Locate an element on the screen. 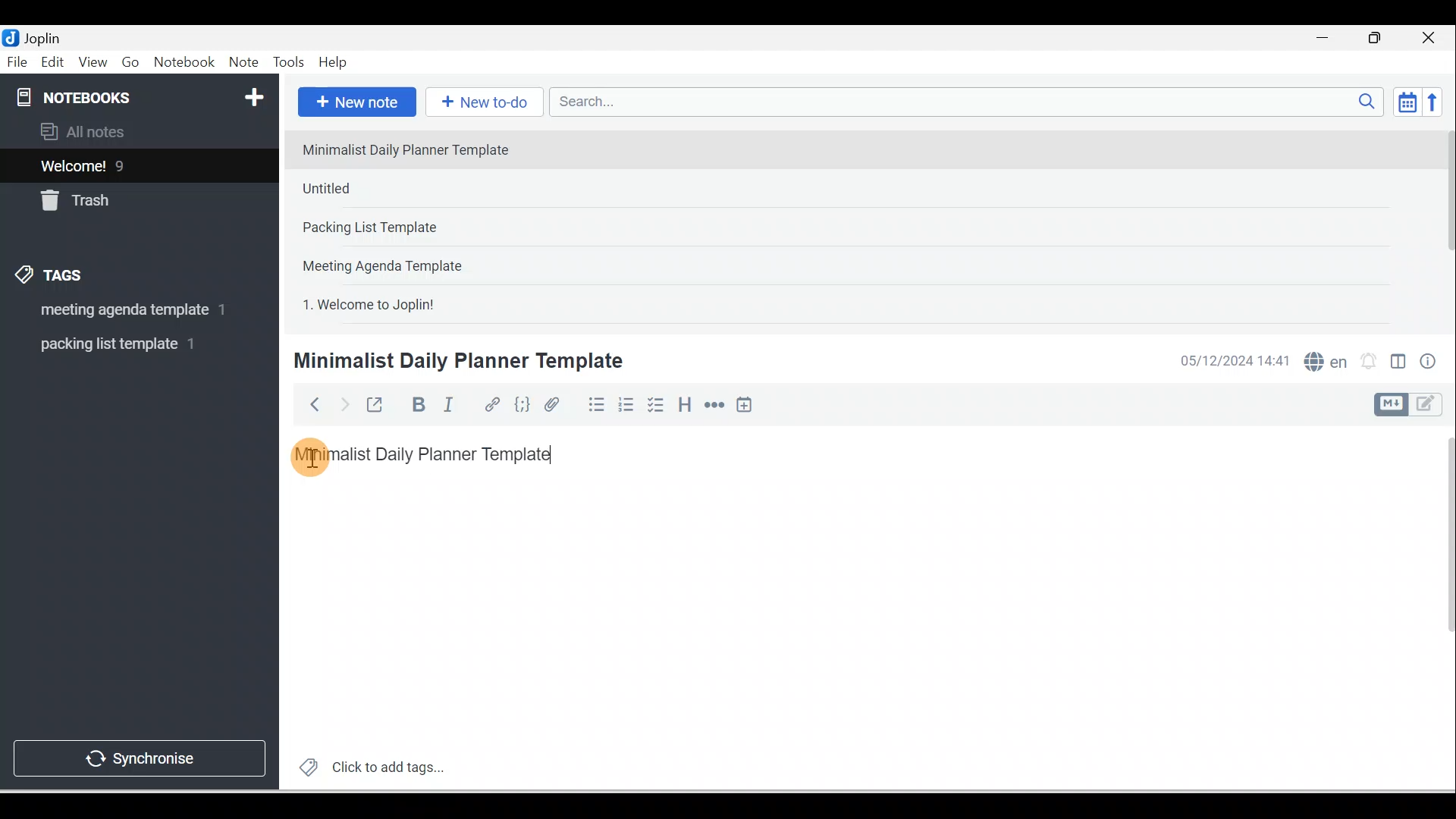 This screenshot has height=819, width=1456. Tag 2 is located at coordinates (128, 344).